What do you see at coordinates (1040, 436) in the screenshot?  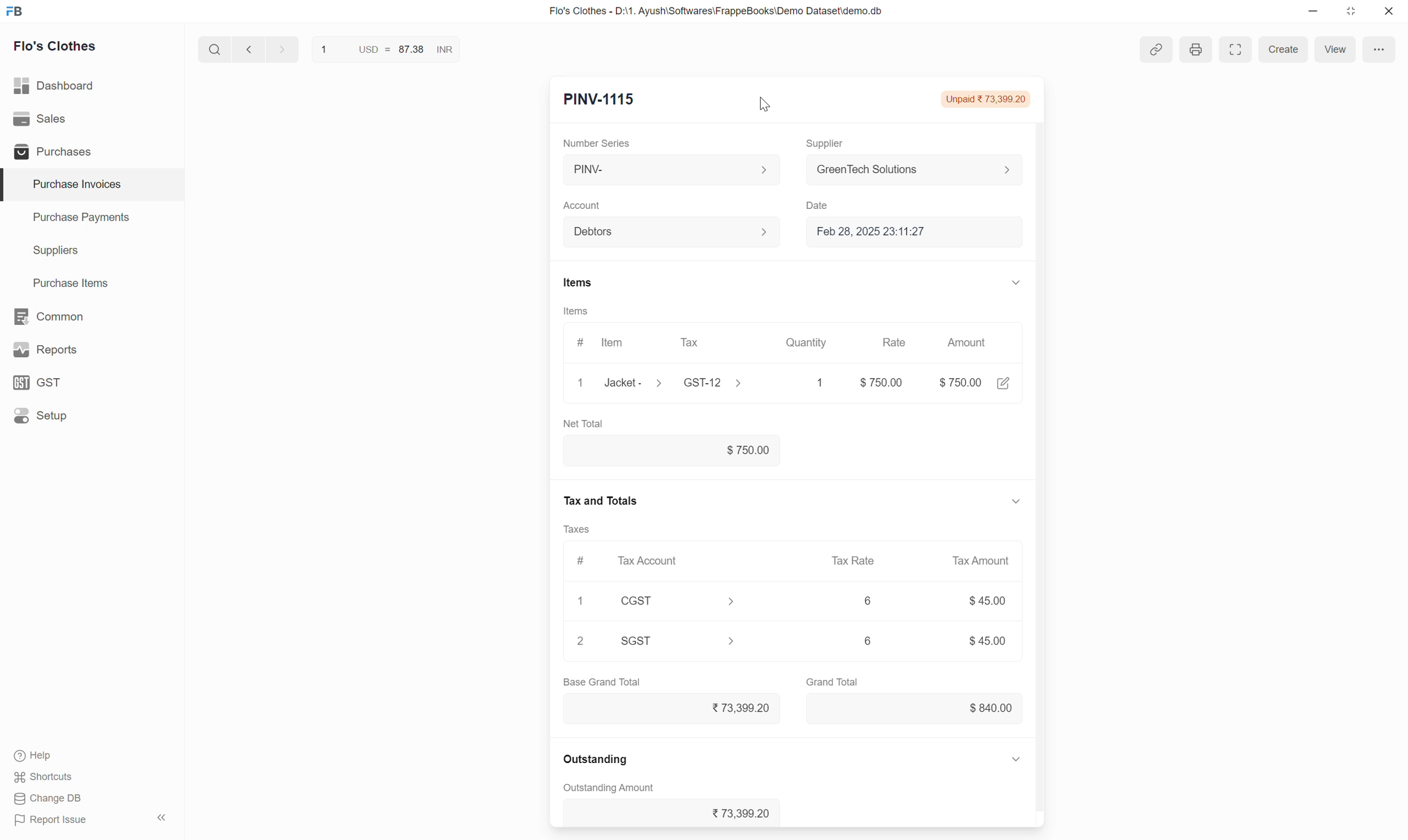 I see `Vertical slide bar` at bounding box center [1040, 436].